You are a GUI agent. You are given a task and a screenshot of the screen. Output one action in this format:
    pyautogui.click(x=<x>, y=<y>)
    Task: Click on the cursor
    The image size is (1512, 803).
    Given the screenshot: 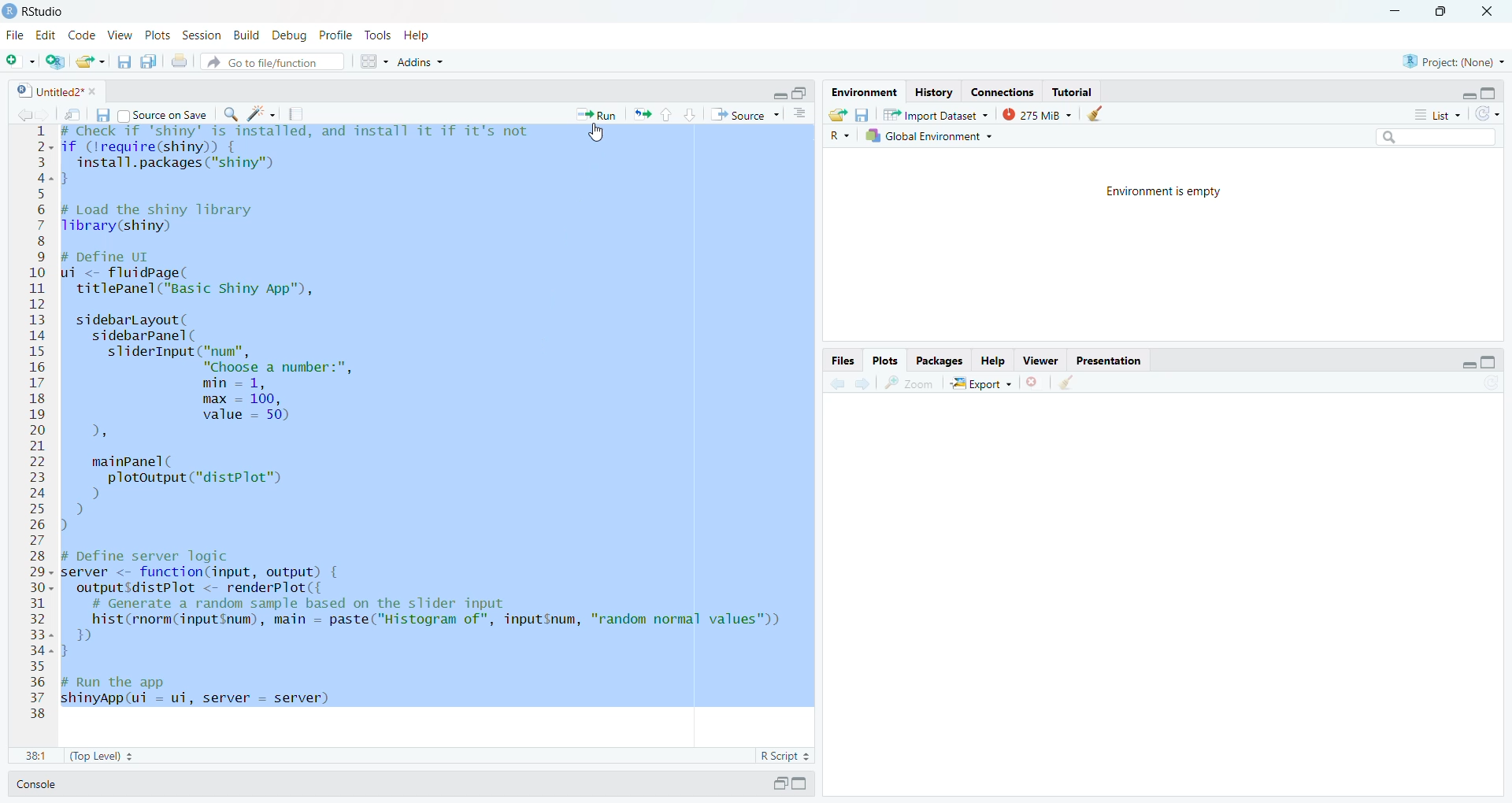 What is the action you would take?
    pyautogui.click(x=595, y=132)
    